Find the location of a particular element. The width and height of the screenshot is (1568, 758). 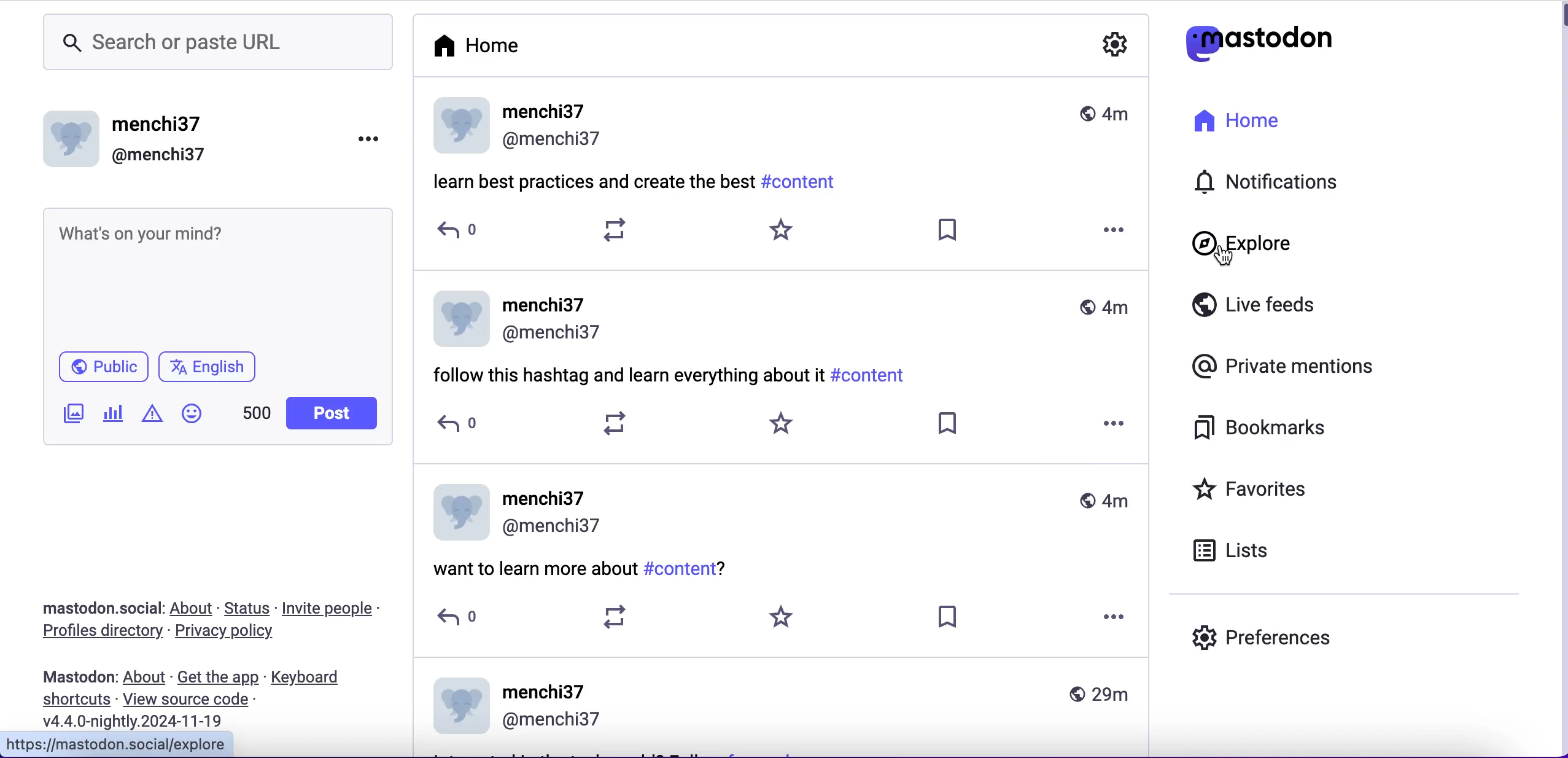

sentence is located at coordinates (529, 571).